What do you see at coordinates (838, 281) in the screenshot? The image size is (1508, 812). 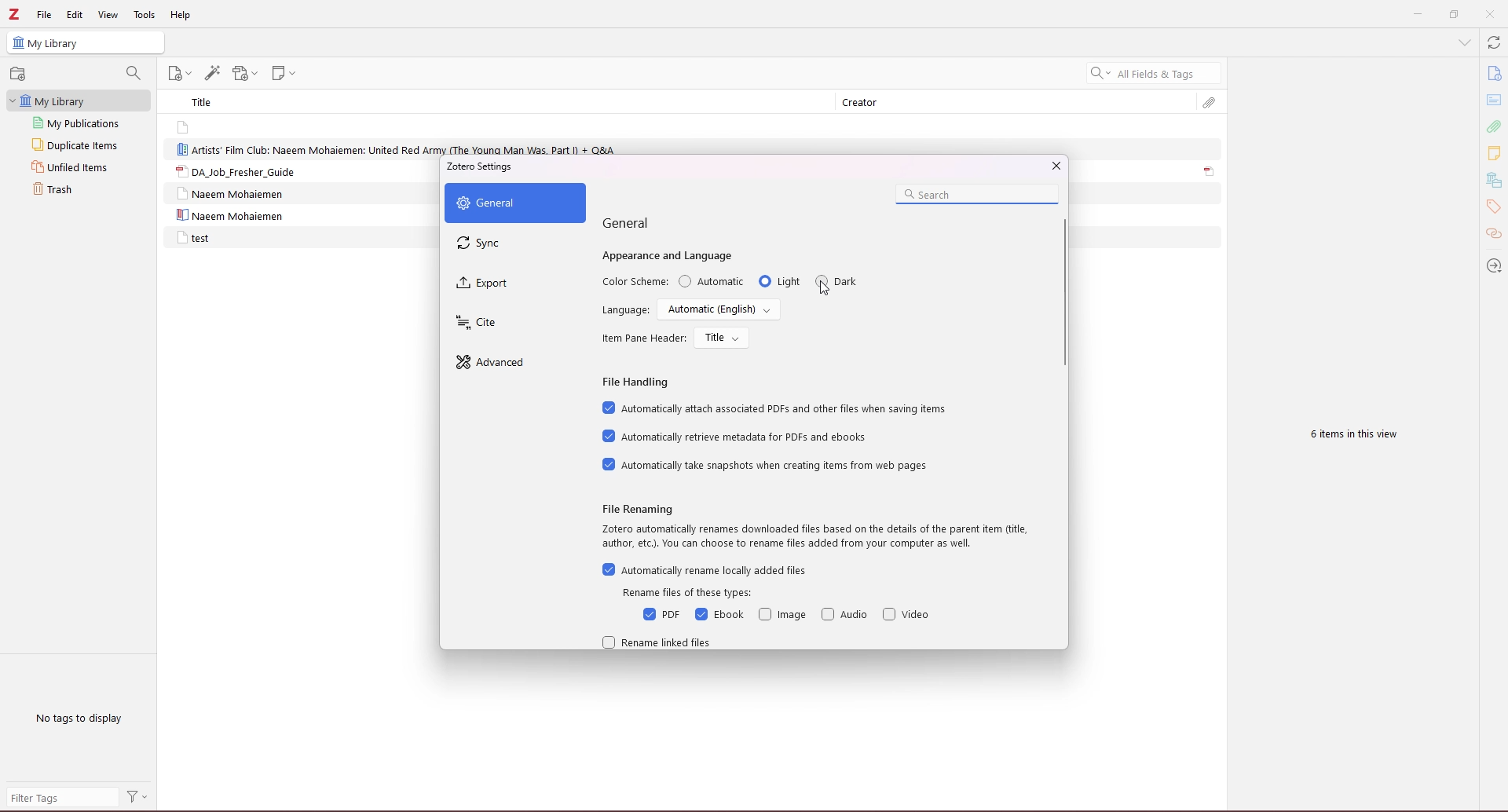 I see `dark` at bounding box center [838, 281].